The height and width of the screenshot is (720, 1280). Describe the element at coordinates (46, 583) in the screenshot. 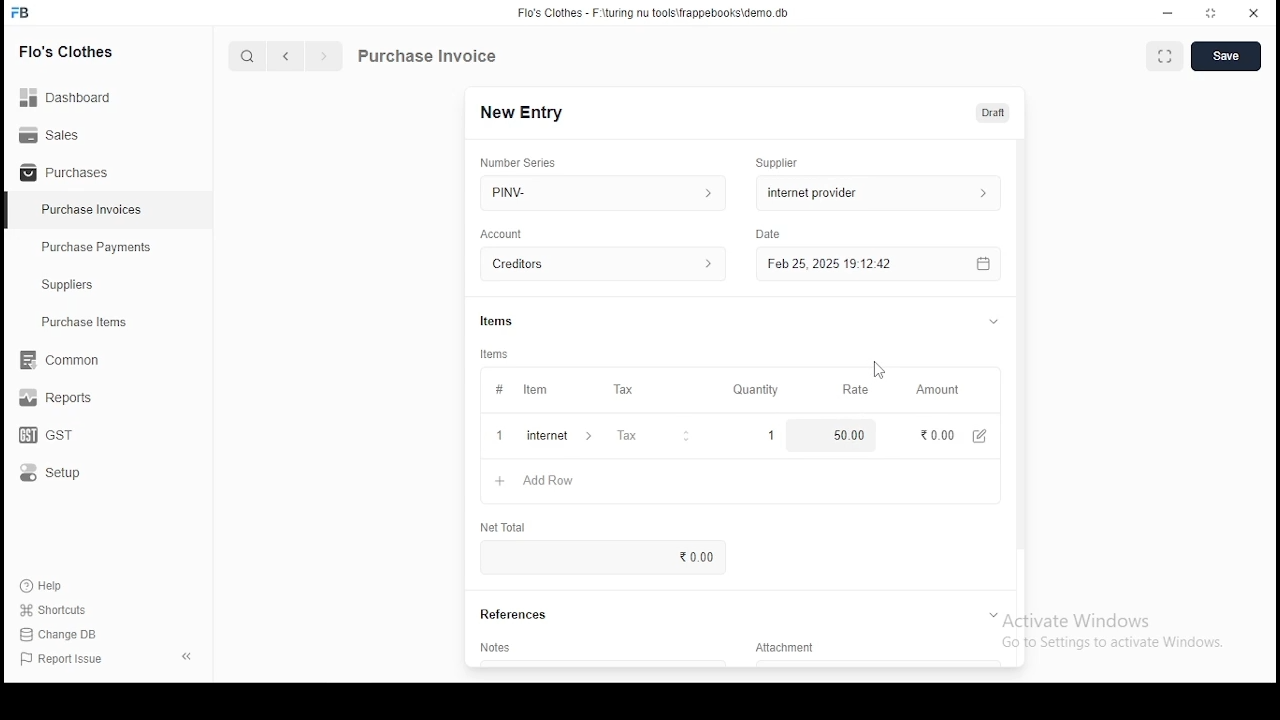

I see `help` at that location.